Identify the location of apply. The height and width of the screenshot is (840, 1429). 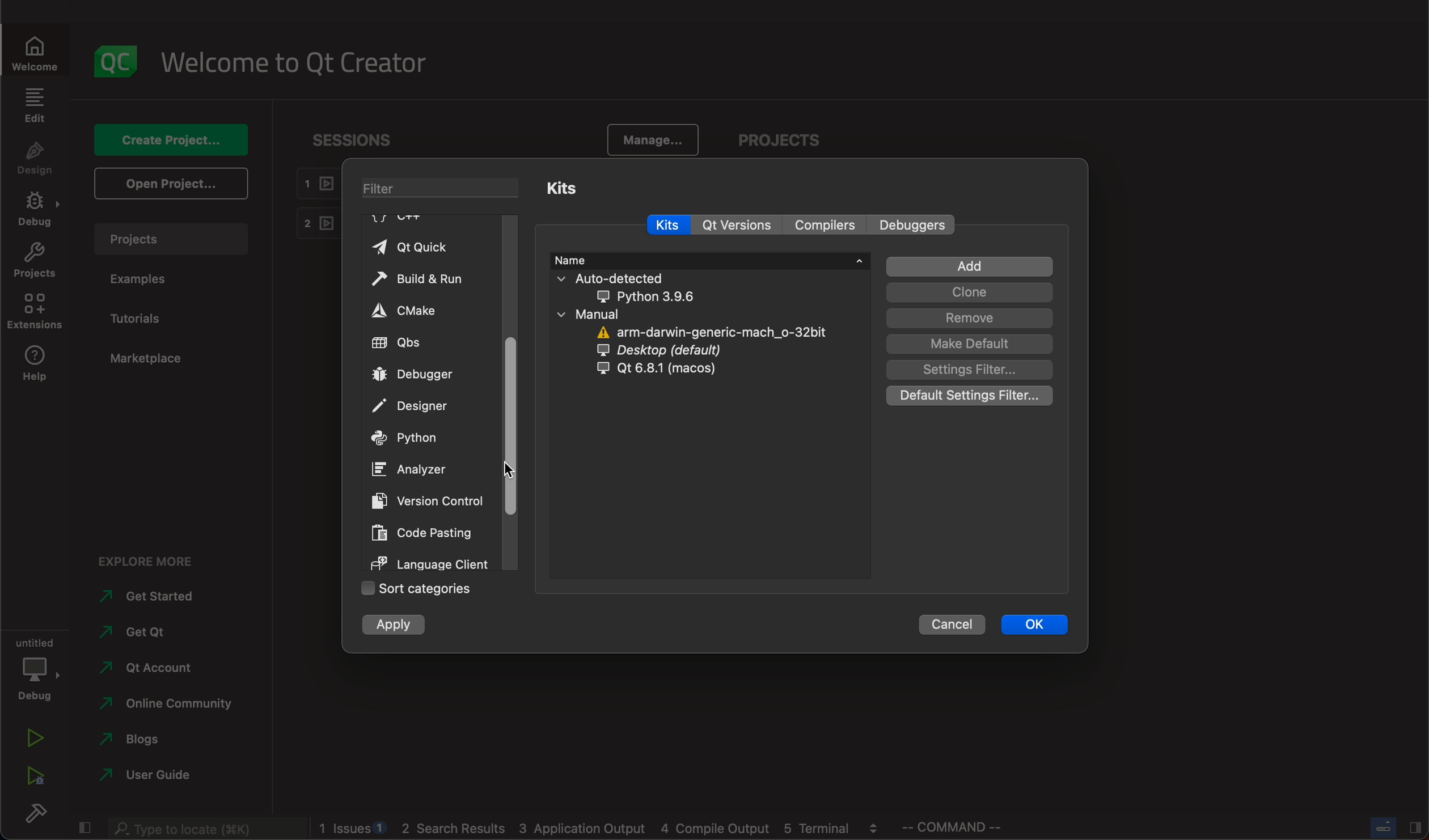
(397, 627).